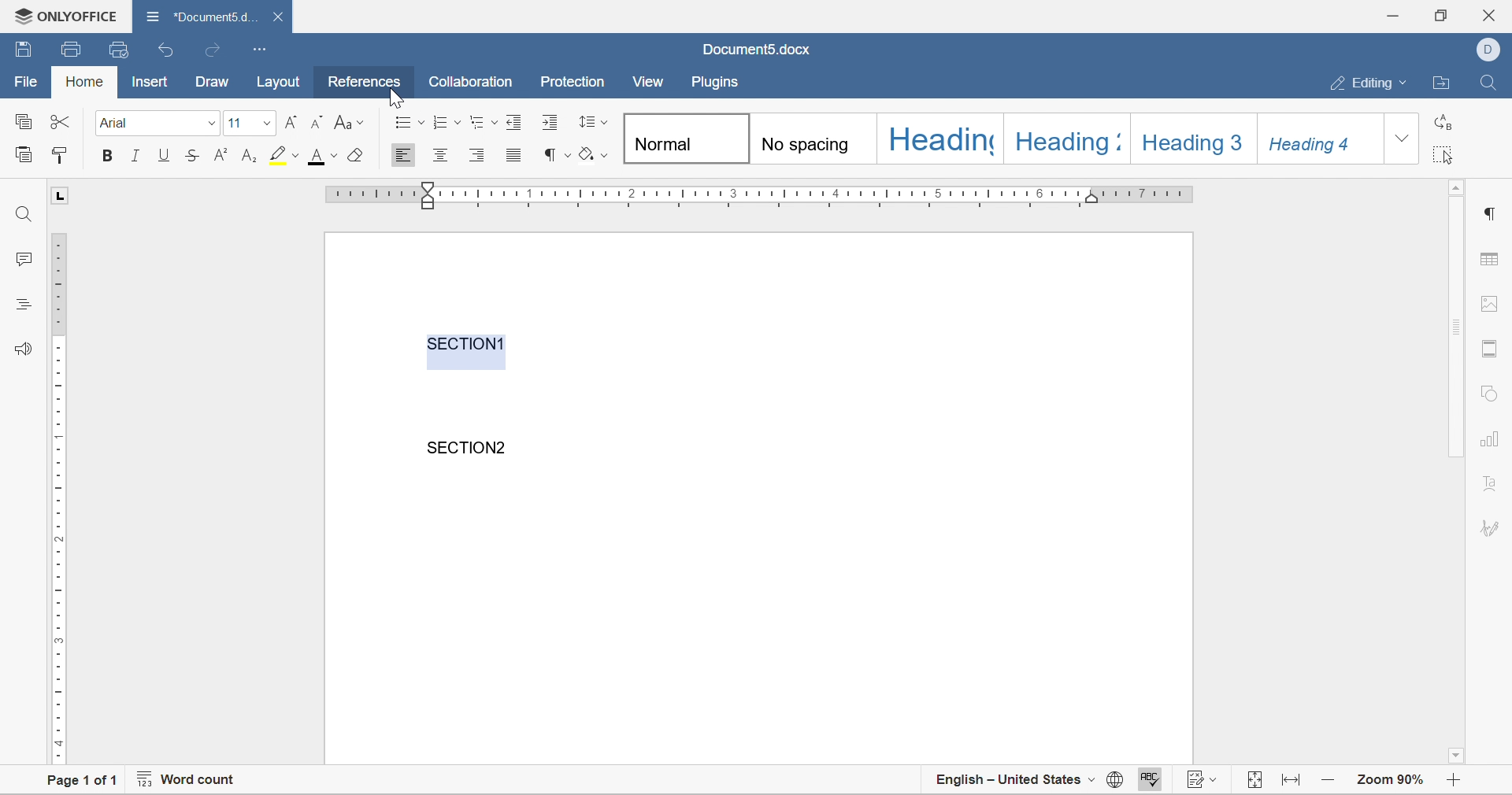 This screenshot has height=795, width=1512. What do you see at coordinates (116, 123) in the screenshot?
I see `font` at bounding box center [116, 123].